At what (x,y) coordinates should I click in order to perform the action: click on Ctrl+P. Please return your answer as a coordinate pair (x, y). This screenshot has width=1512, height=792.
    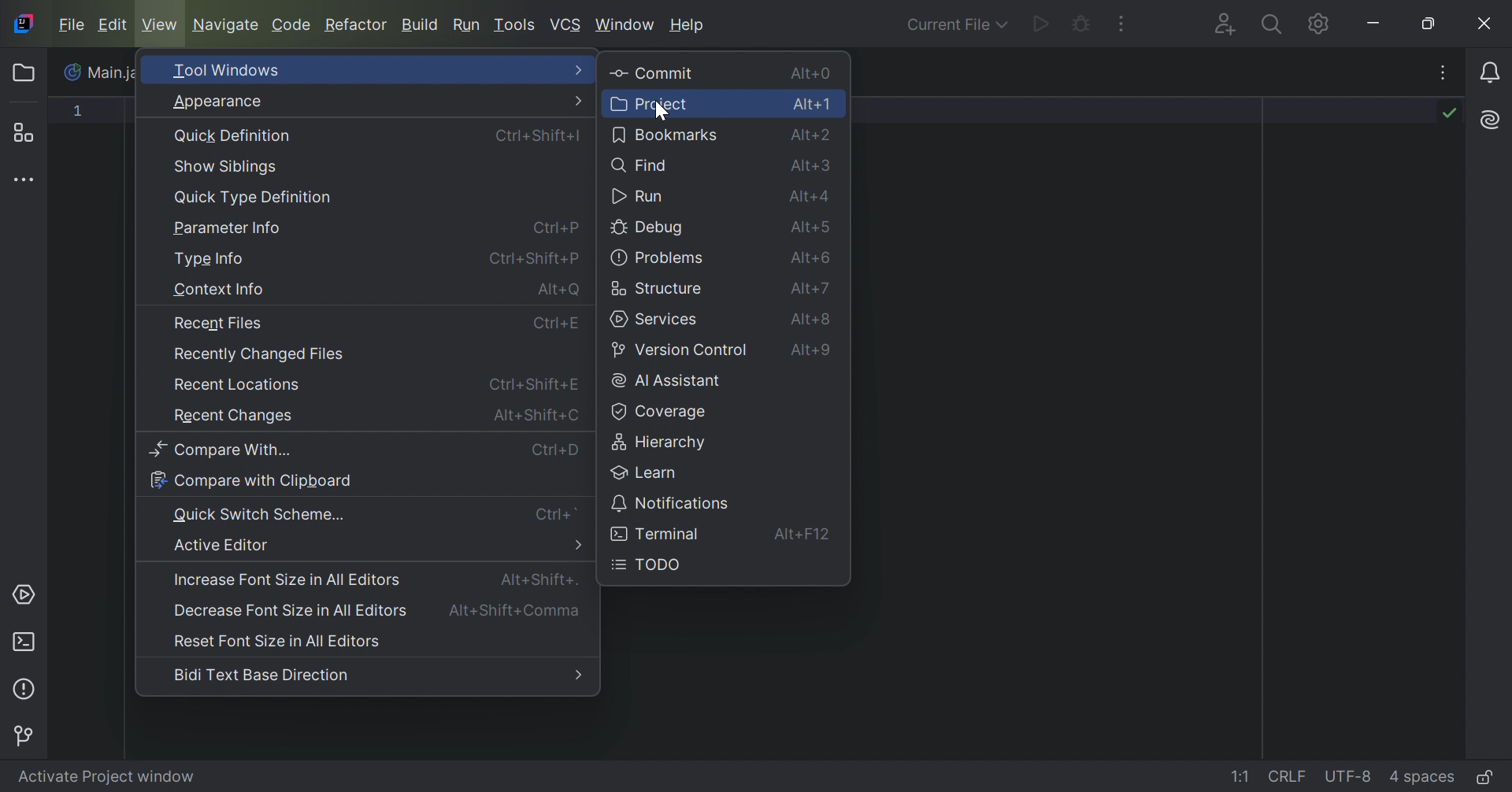
    Looking at the image, I should click on (558, 227).